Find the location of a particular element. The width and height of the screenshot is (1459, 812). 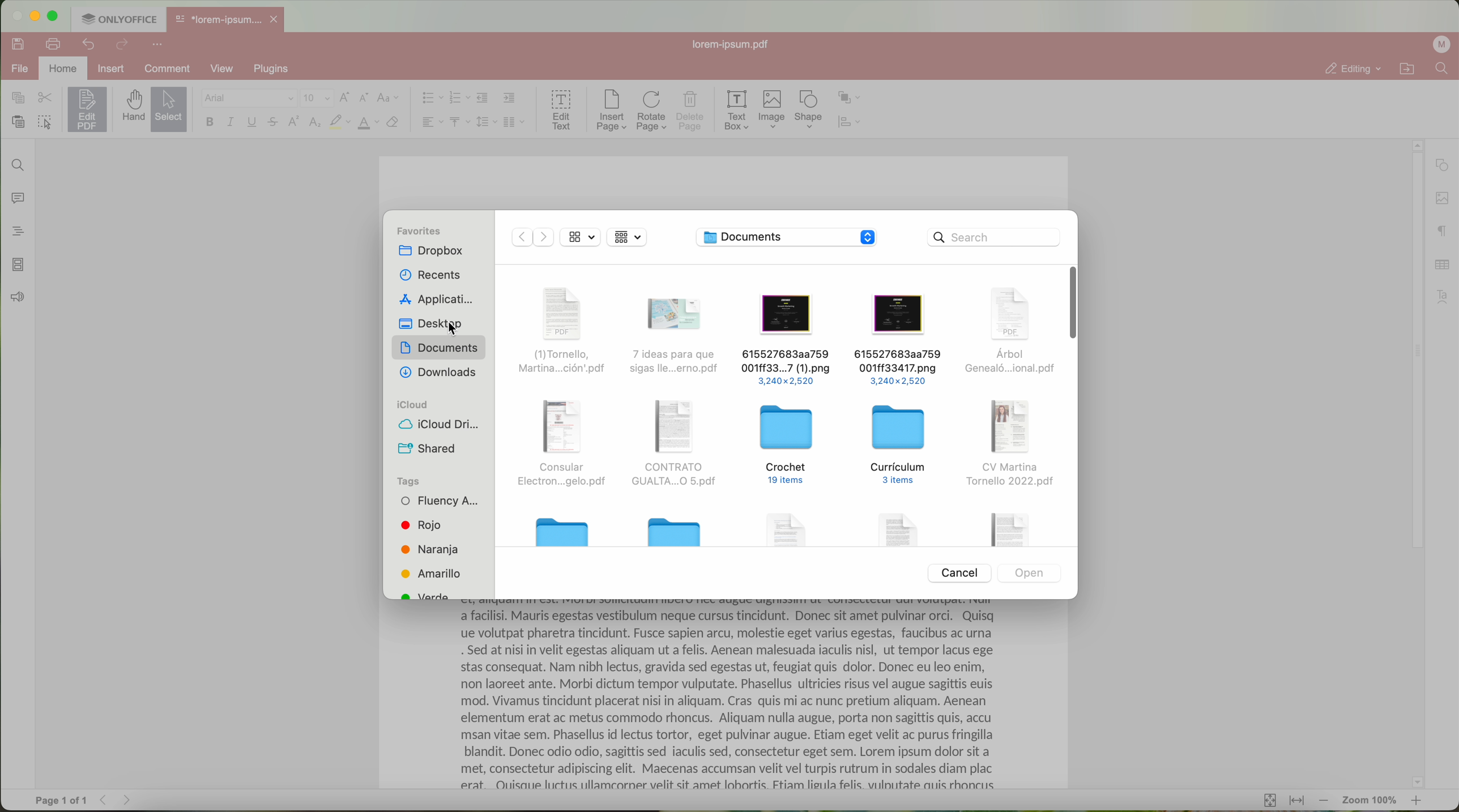

strikeout is located at coordinates (274, 123).